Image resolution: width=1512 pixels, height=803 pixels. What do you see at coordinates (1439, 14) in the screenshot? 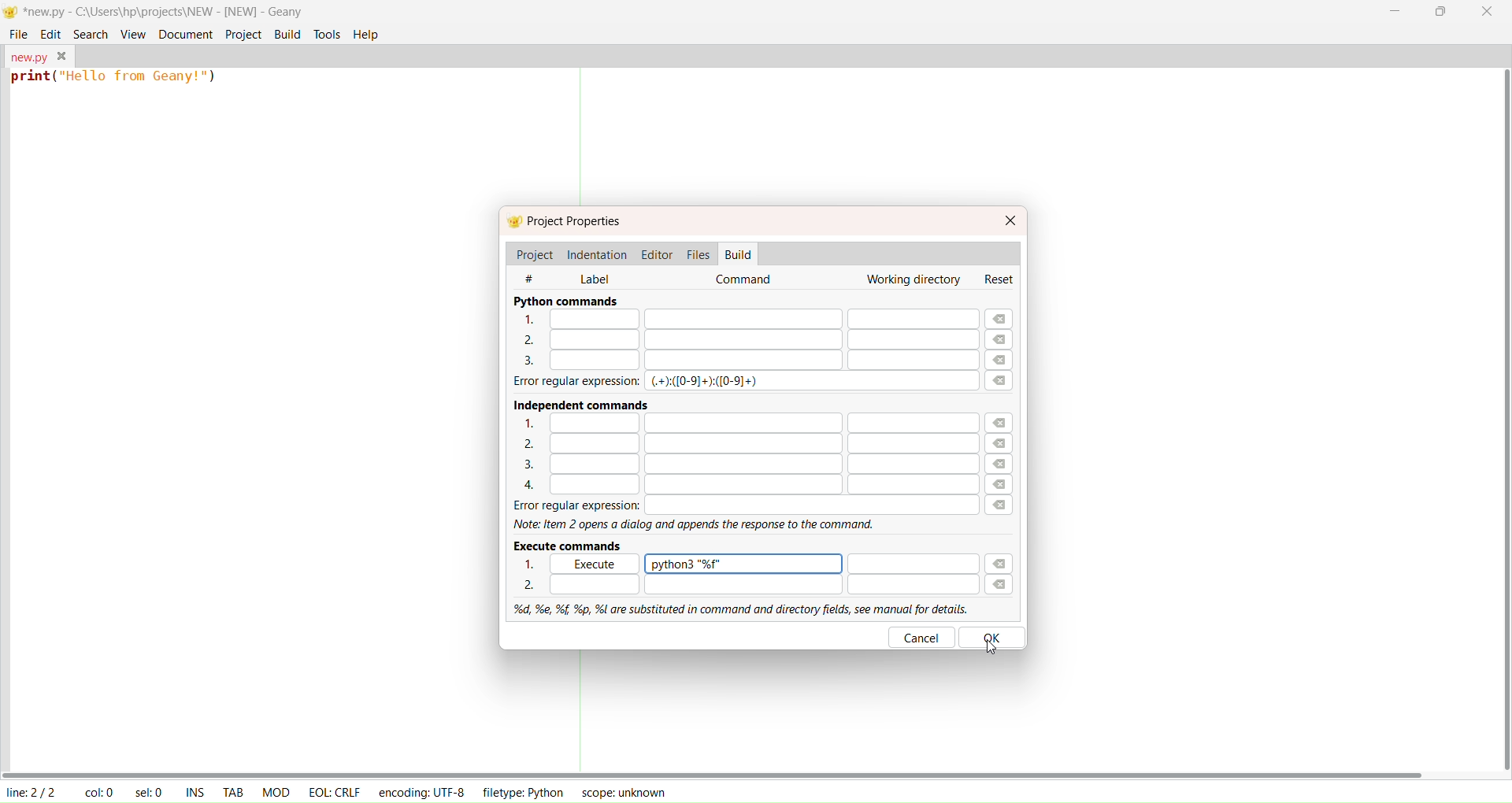
I see `maximize` at bounding box center [1439, 14].